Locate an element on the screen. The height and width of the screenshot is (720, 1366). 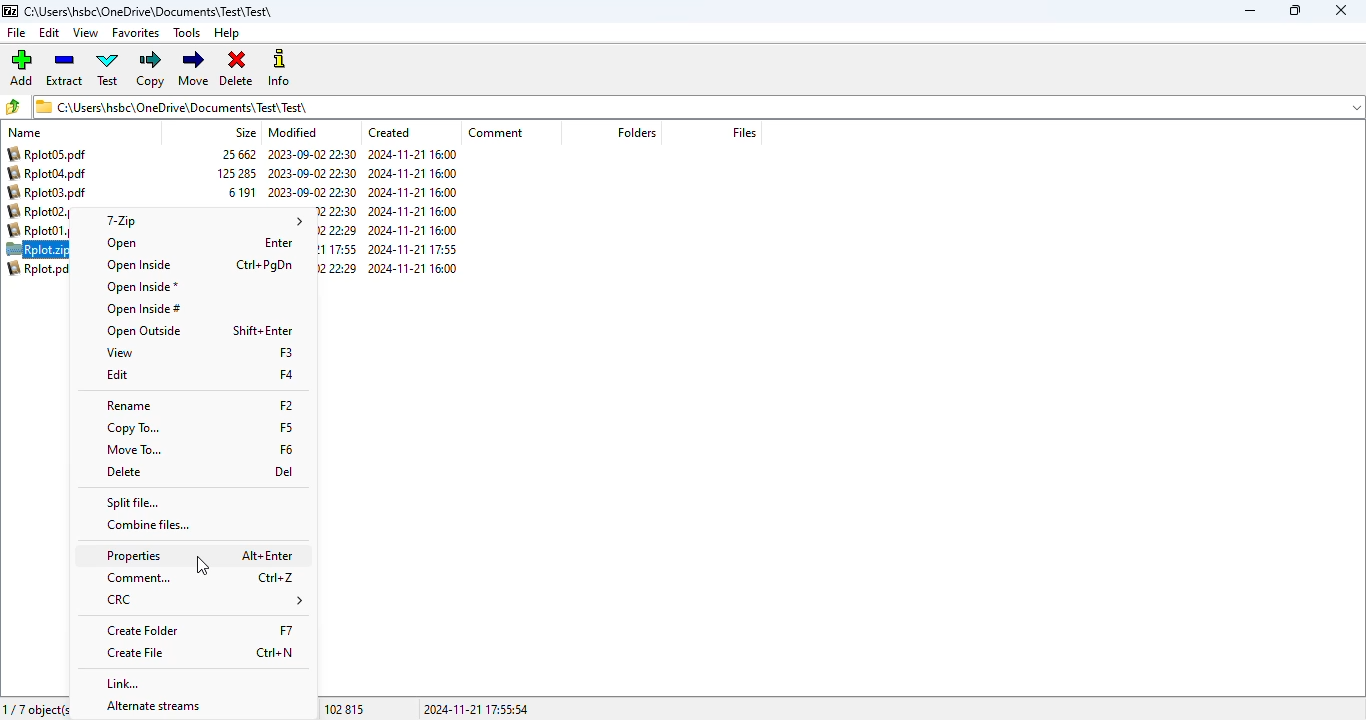
size is located at coordinates (245, 132).